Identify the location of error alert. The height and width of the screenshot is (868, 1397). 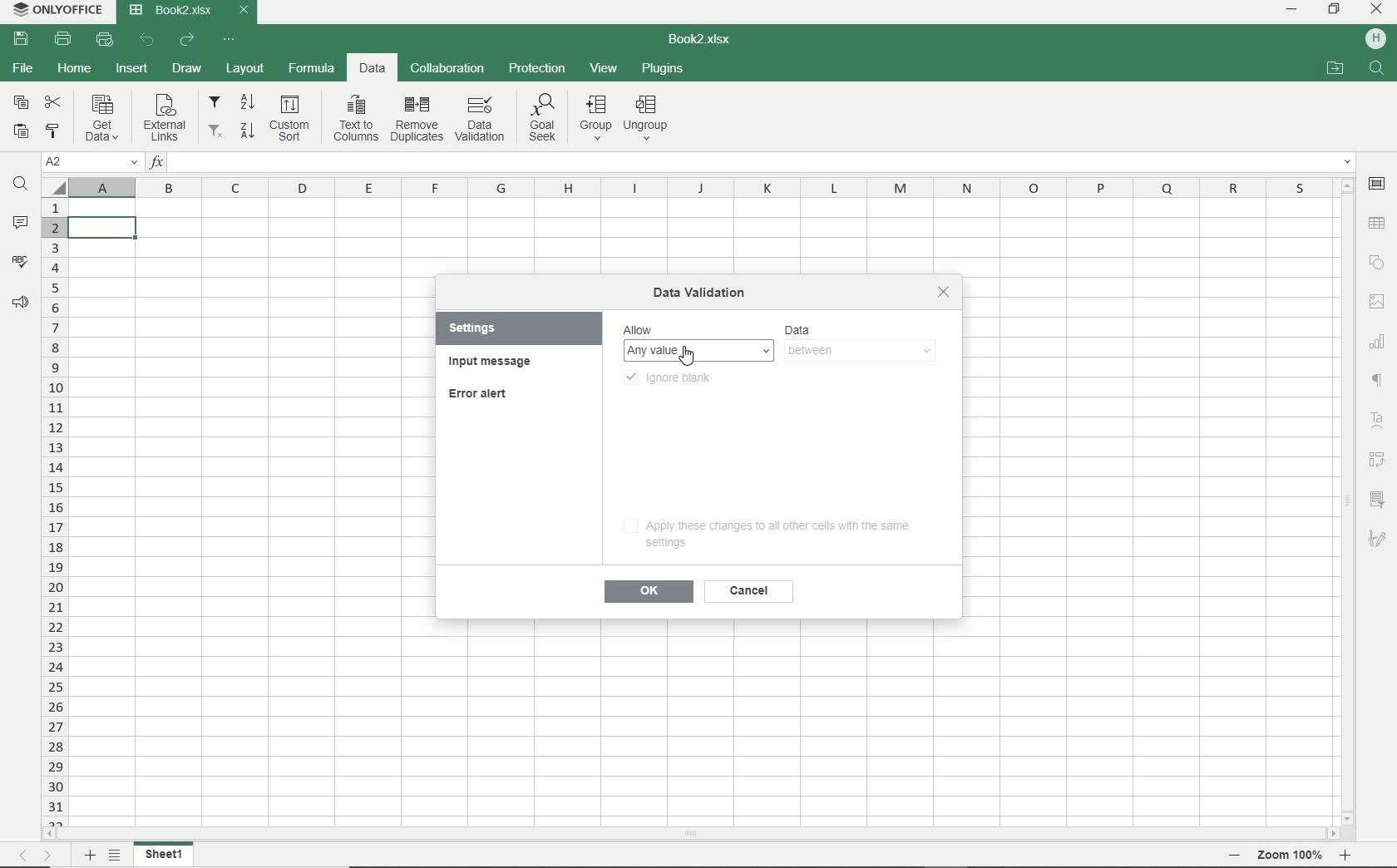
(483, 392).